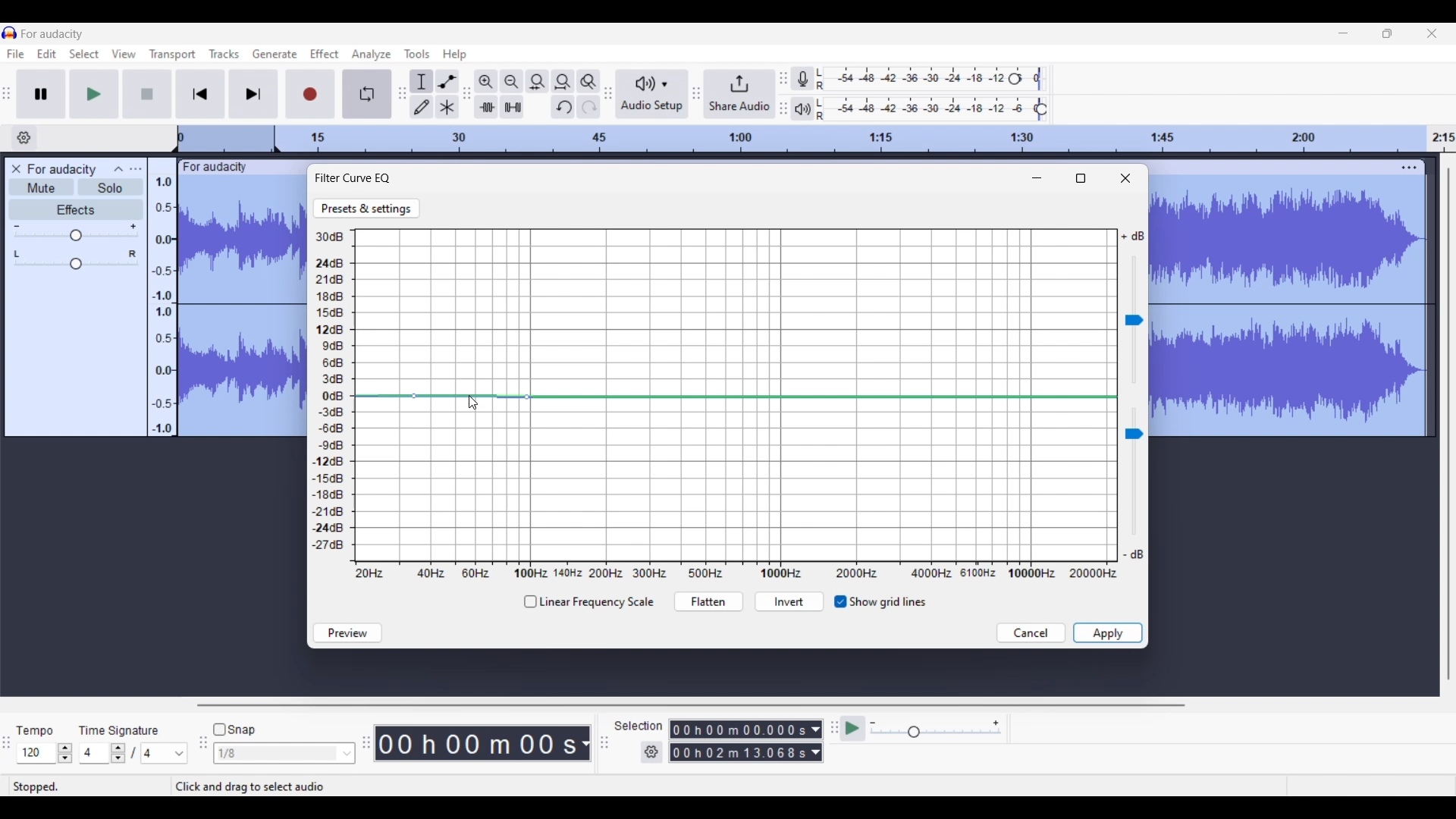  What do you see at coordinates (41, 93) in the screenshot?
I see `Pause` at bounding box center [41, 93].